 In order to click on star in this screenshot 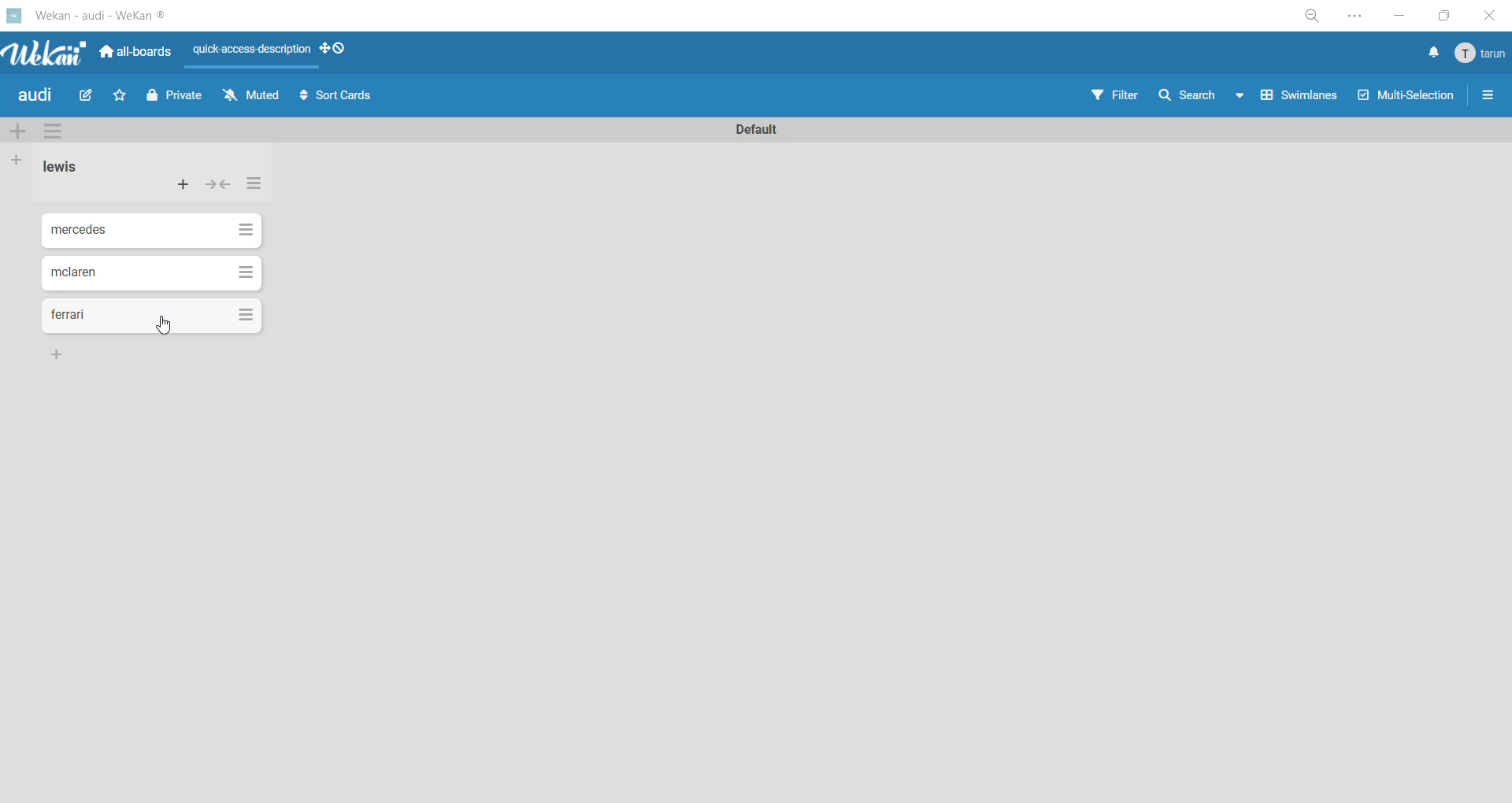, I will do `click(123, 94)`.